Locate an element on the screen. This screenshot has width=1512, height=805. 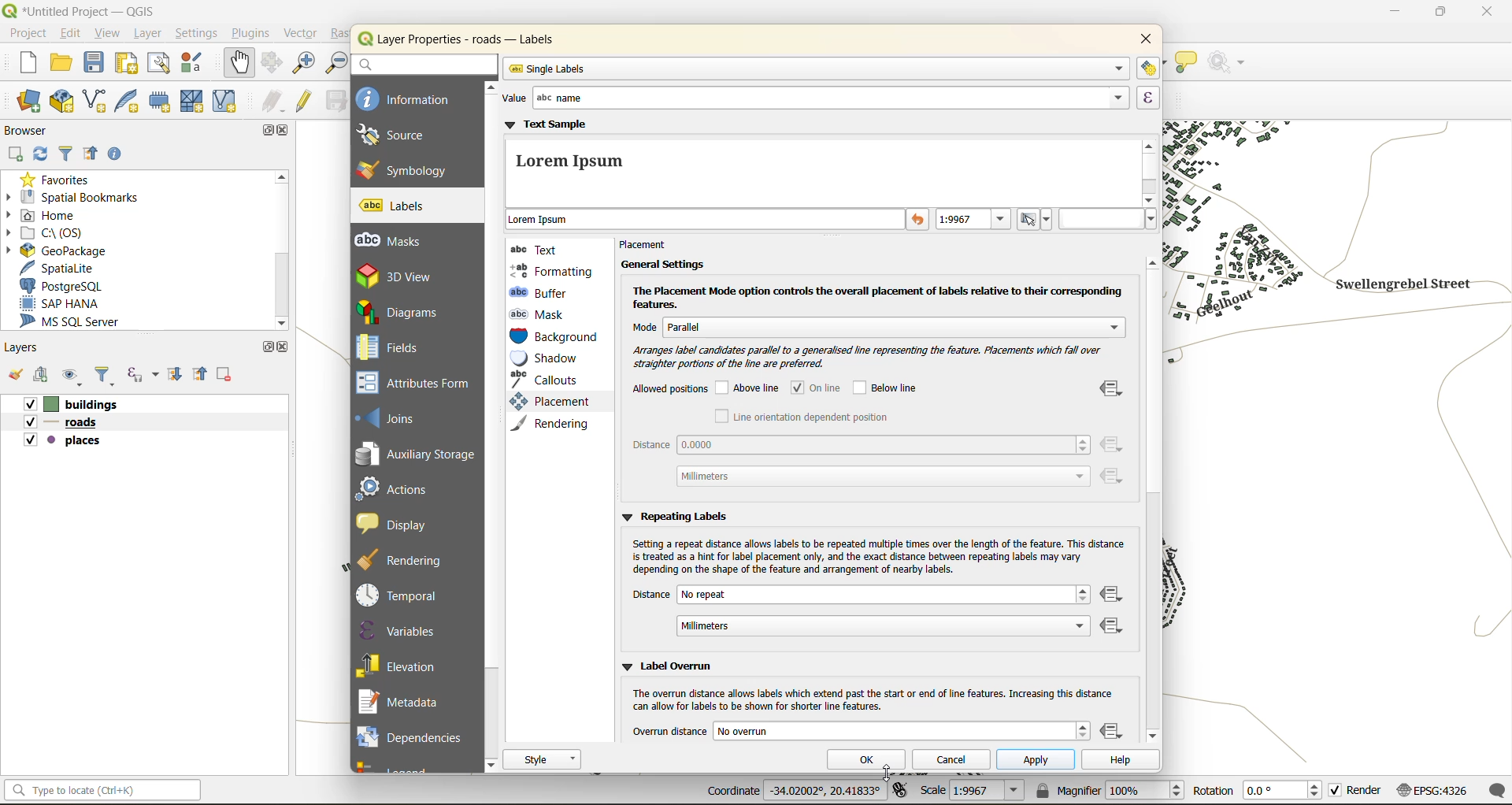
maximize is located at coordinates (1440, 15).